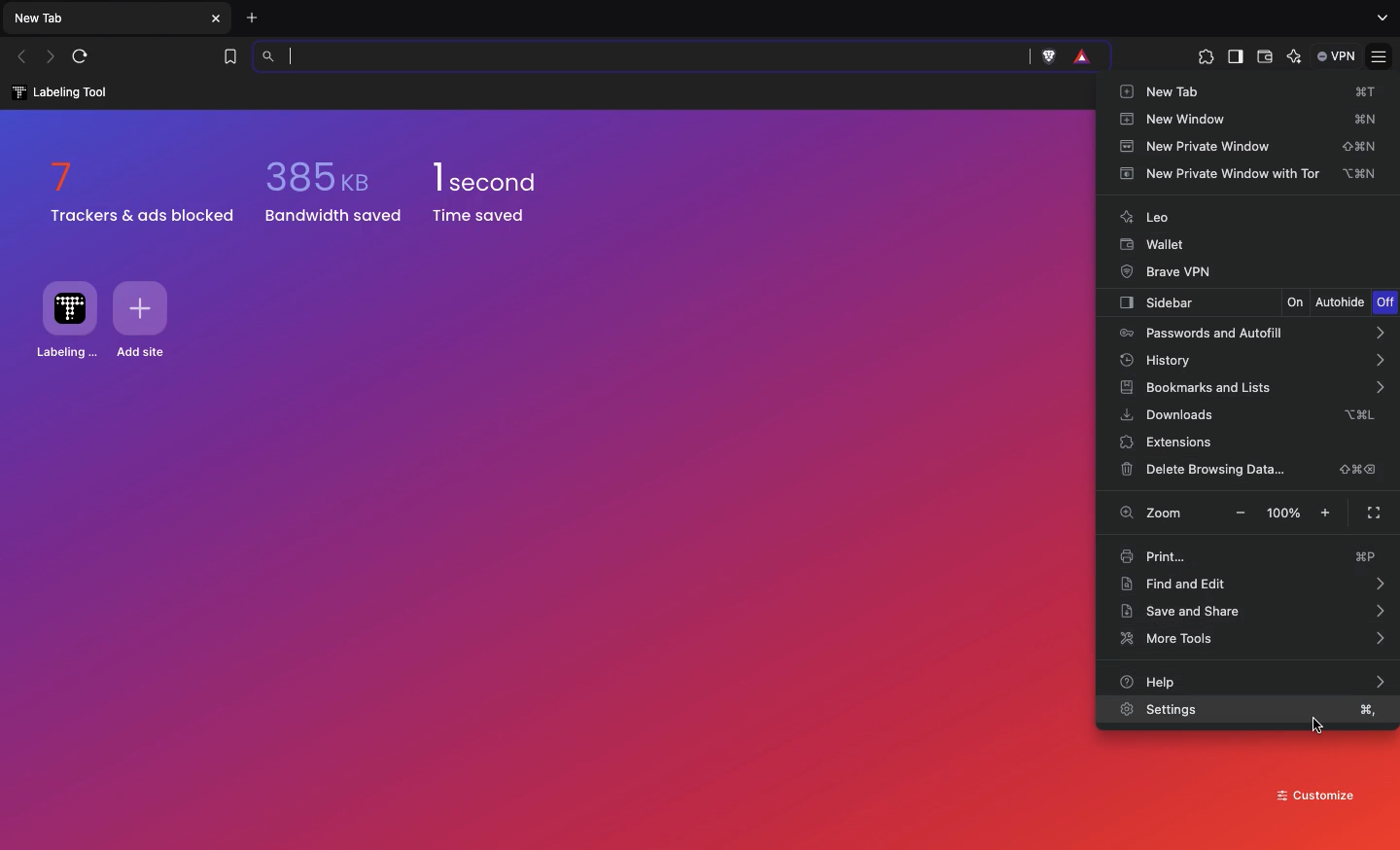 Image resolution: width=1400 pixels, height=850 pixels. I want to click on Passwords and autofill, so click(1252, 334).